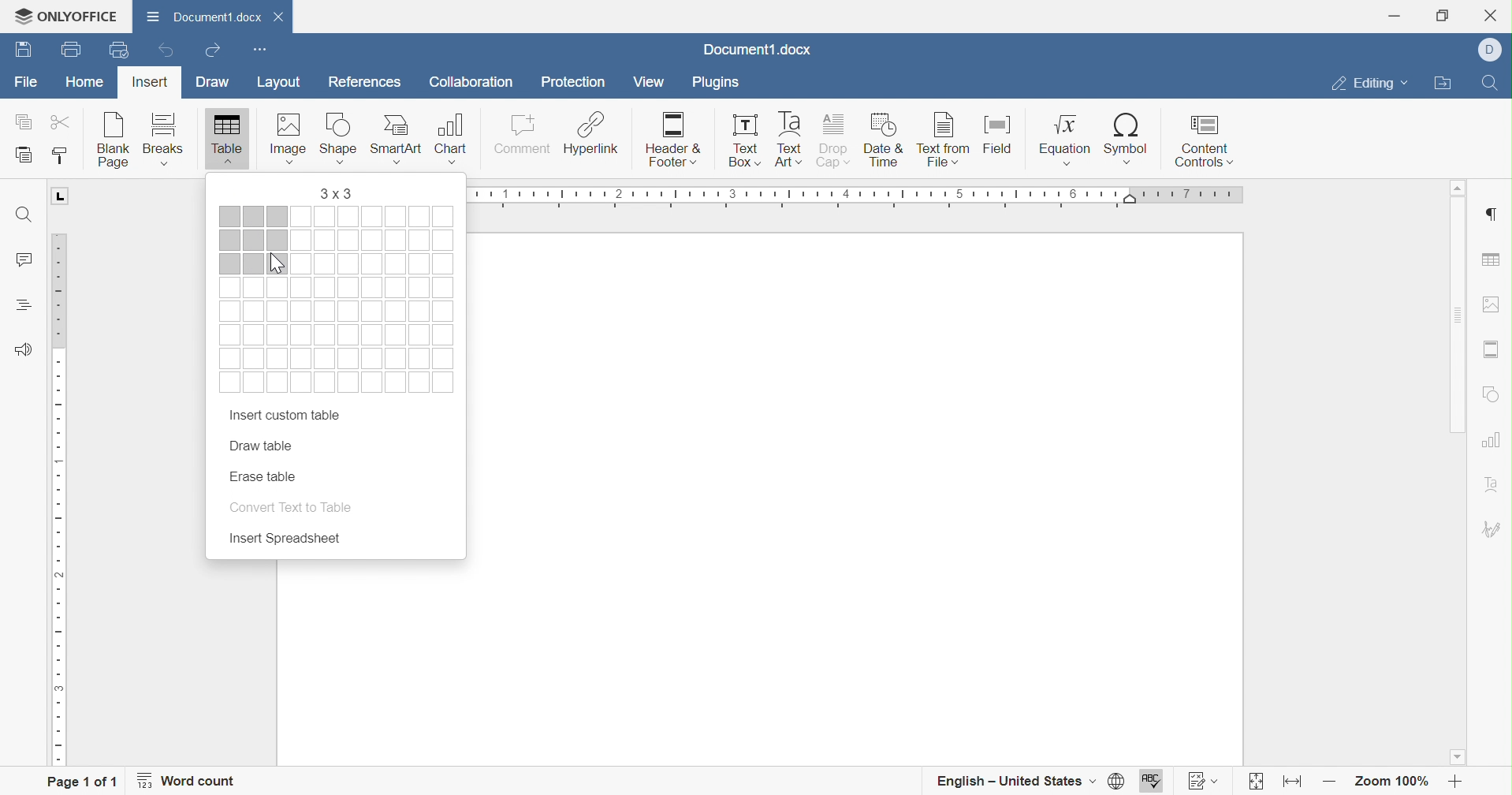 The image size is (1512, 795). I want to click on Feedback & Support, so click(22, 349).